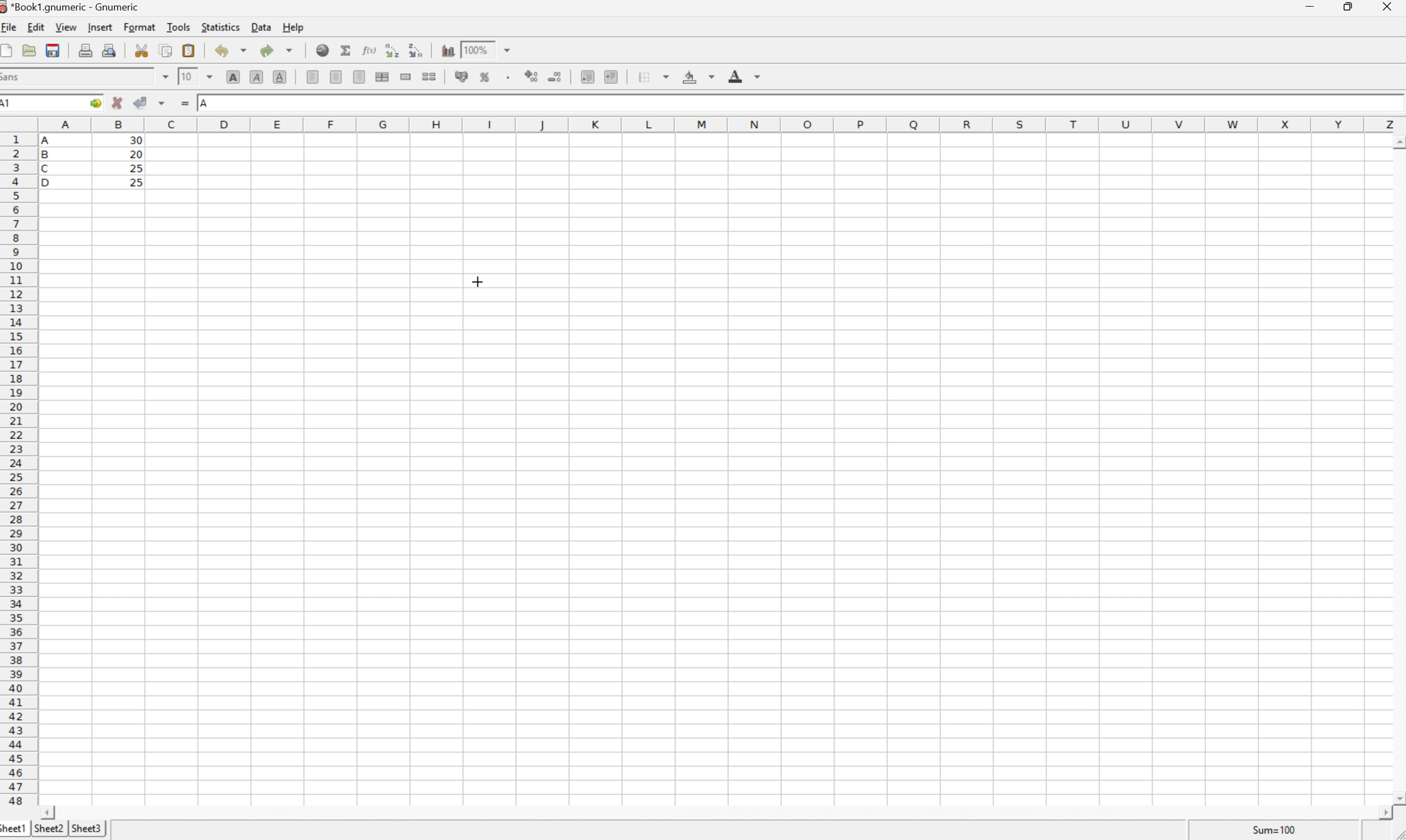 This screenshot has height=840, width=1406. I want to click on A, so click(205, 104).